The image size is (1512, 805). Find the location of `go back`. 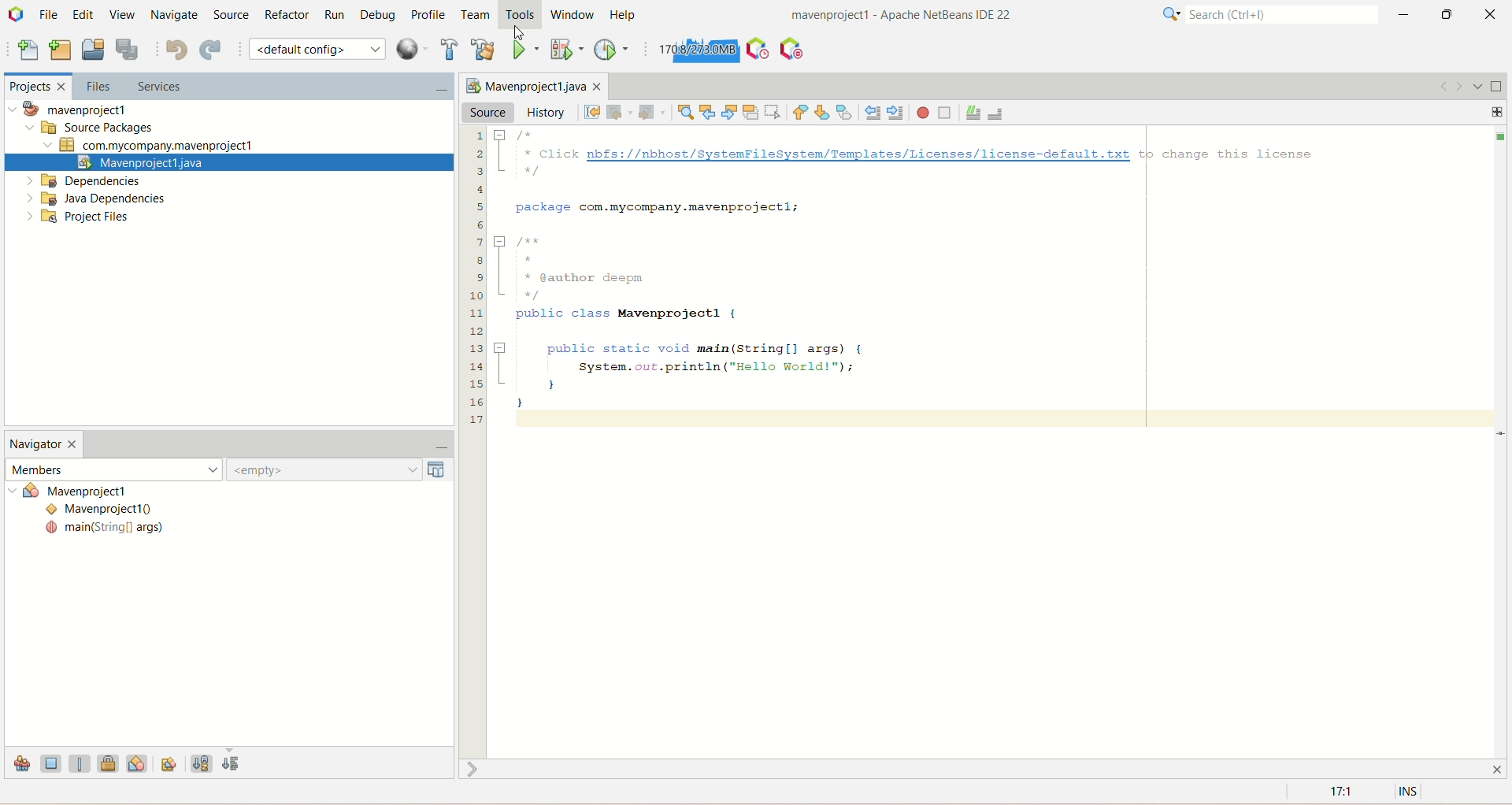

go back is located at coordinates (1439, 86).